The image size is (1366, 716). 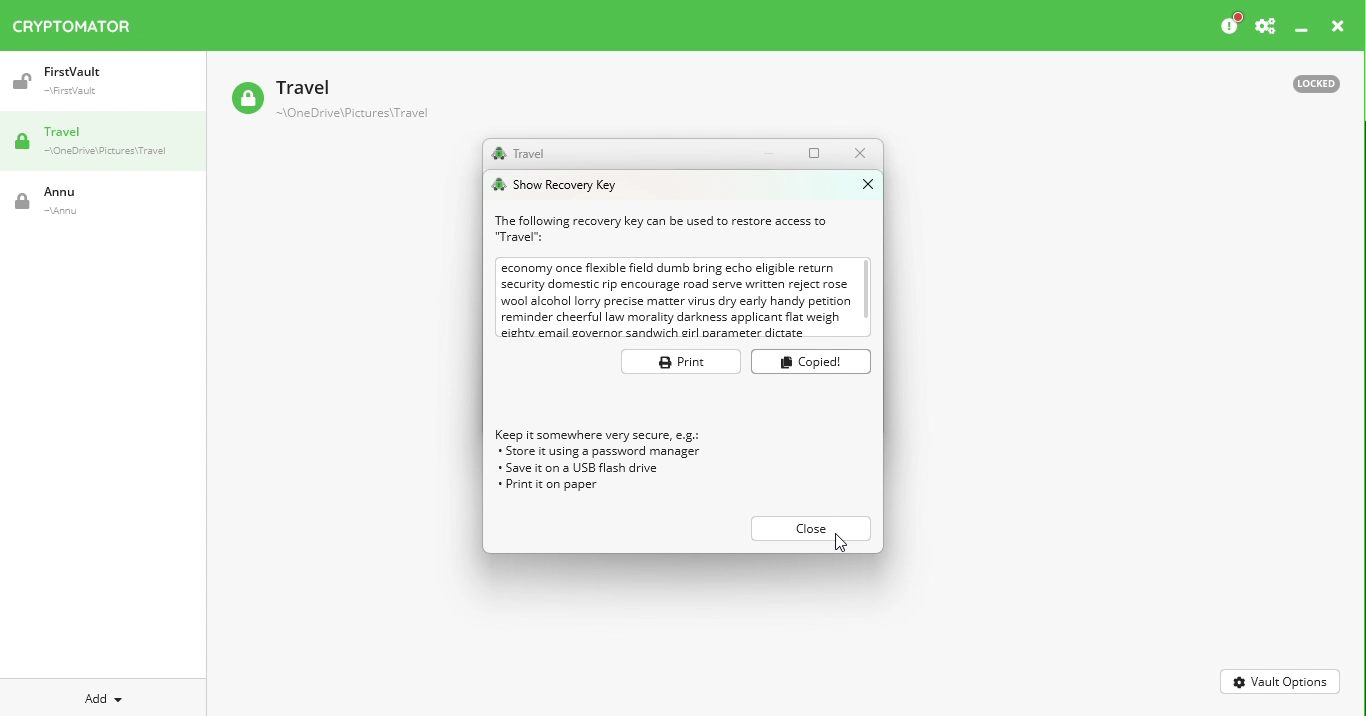 I want to click on Cursor, so click(x=842, y=545).